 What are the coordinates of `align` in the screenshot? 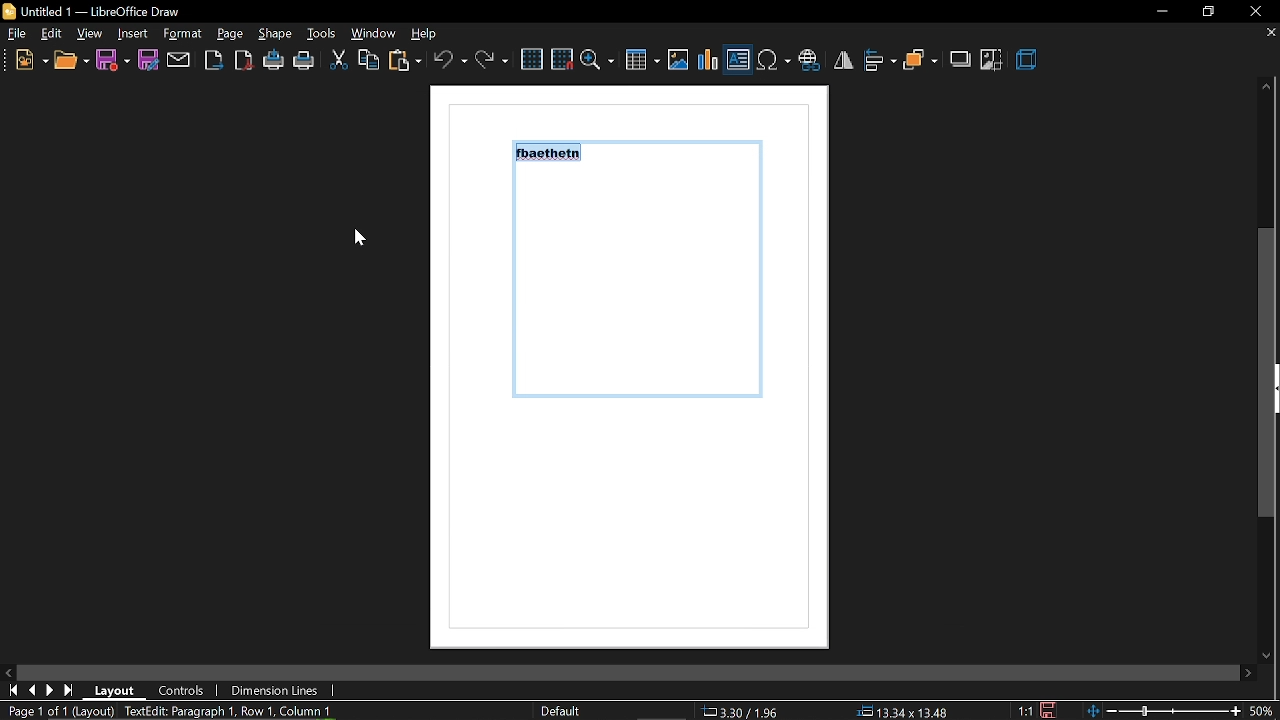 It's located at (880, 62).